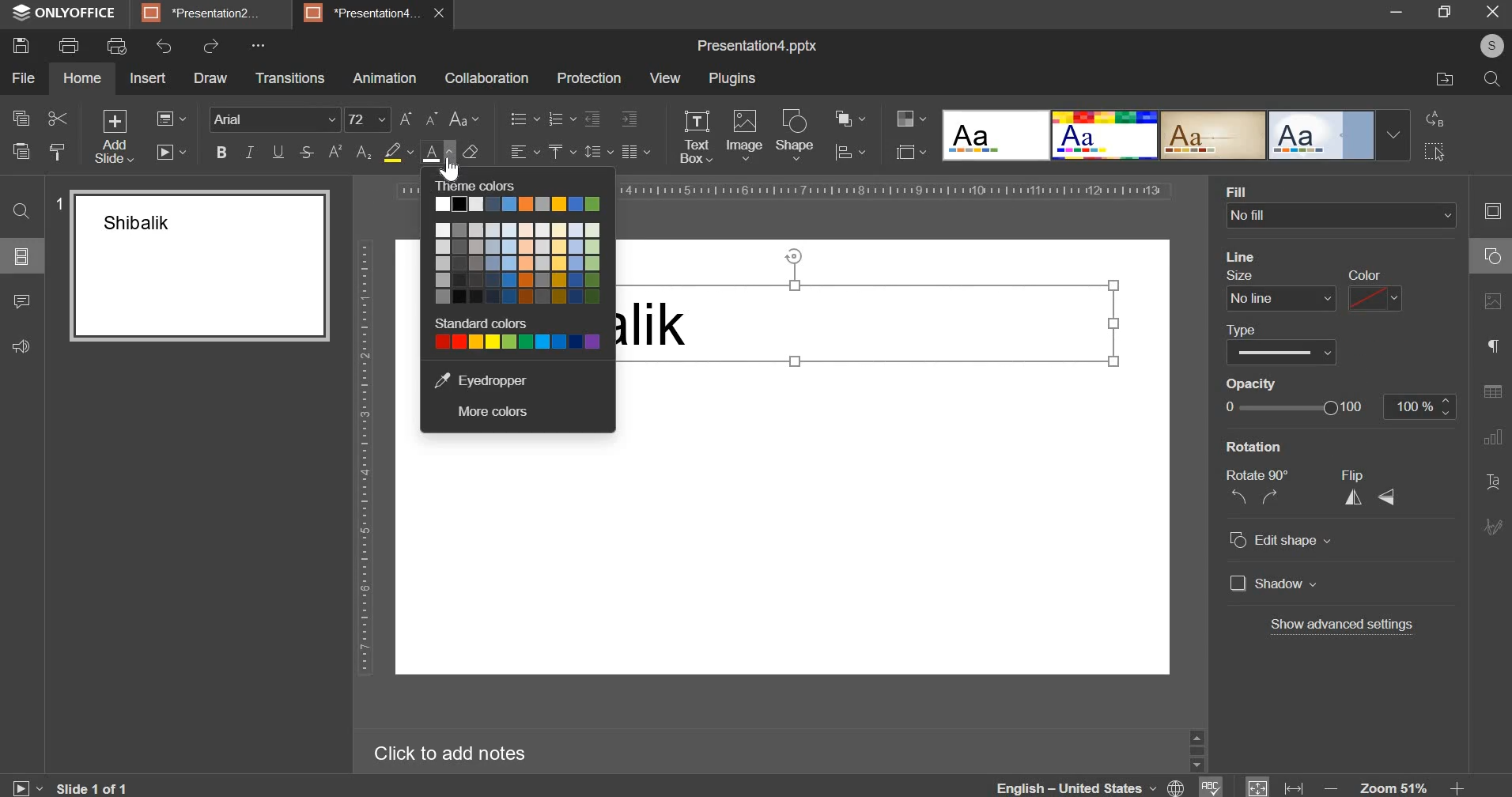 This screenshot has height=797, width=1512. What do you see at coordinates (171, 119) in the screenshot?
I see `change slide layout` at bounding box center [171, 119].